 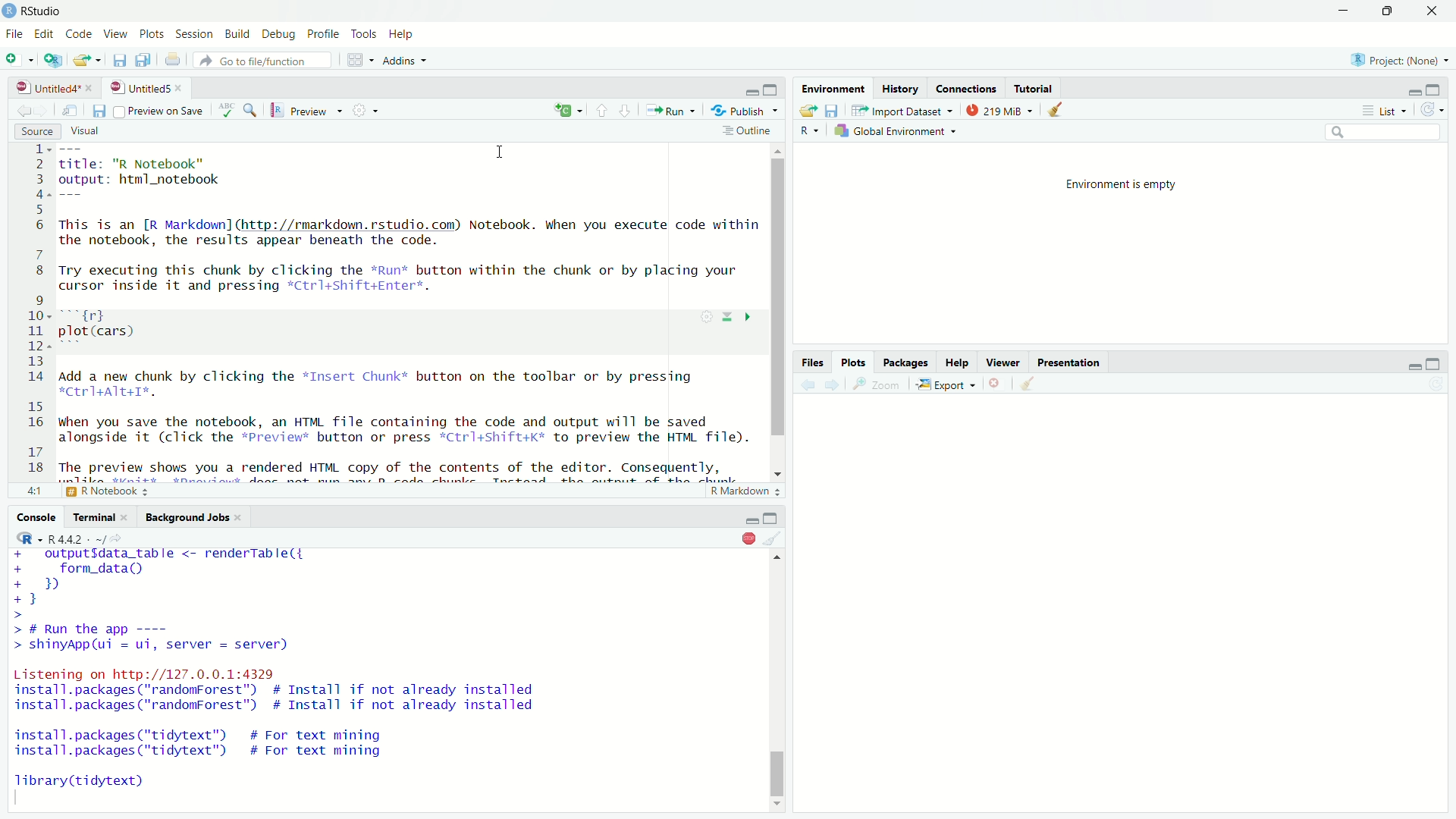 I want to click on minimize, so click(x=1412, y=362).